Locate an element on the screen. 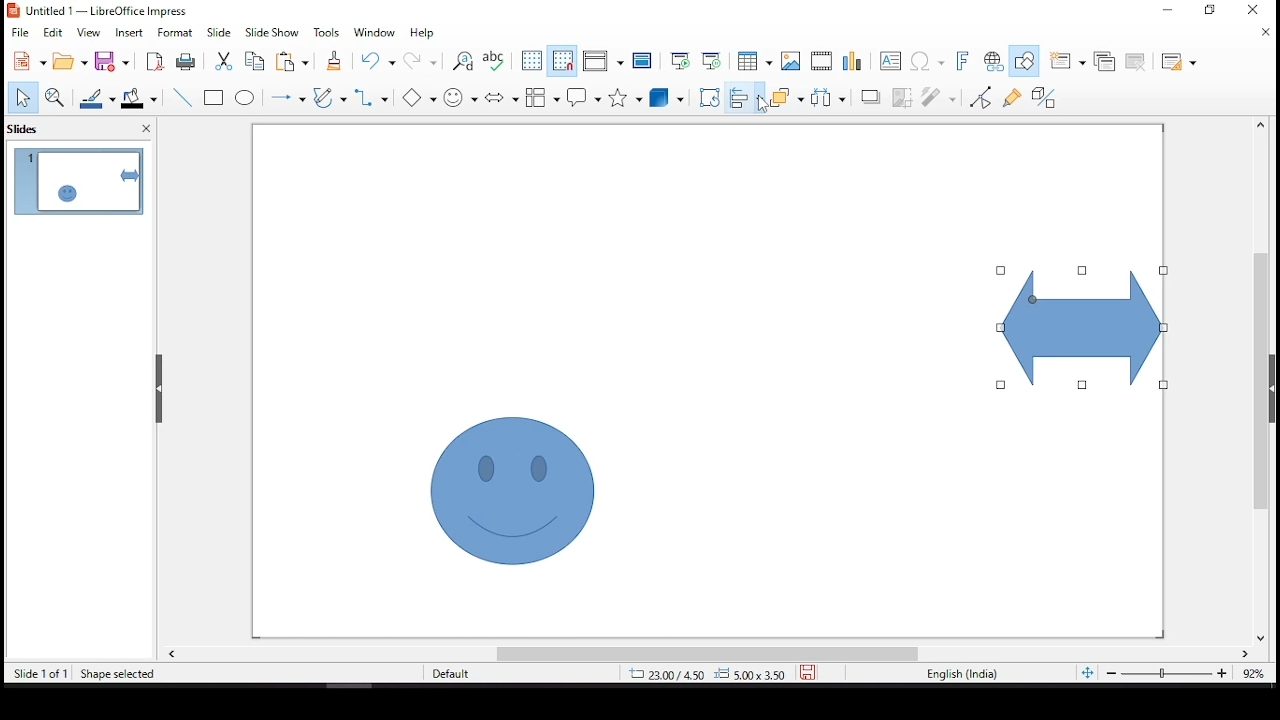 The image size is (1280, 720). scroll bar is located at coordinates (1255, 380).